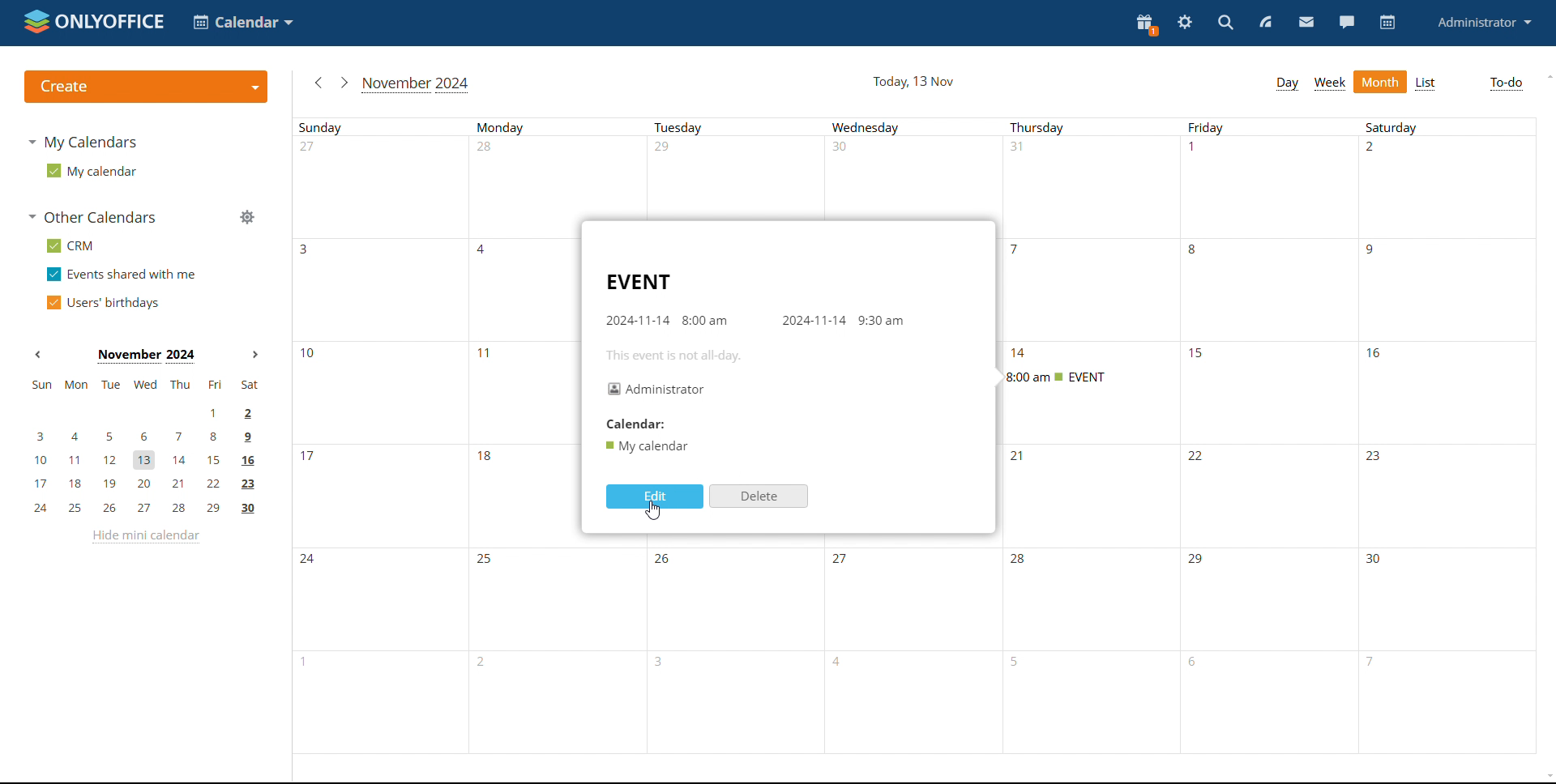 The image size is (1556, 784). Describe the element at coordinates (1020, 354) in the screenshot. I see `14` at that location.